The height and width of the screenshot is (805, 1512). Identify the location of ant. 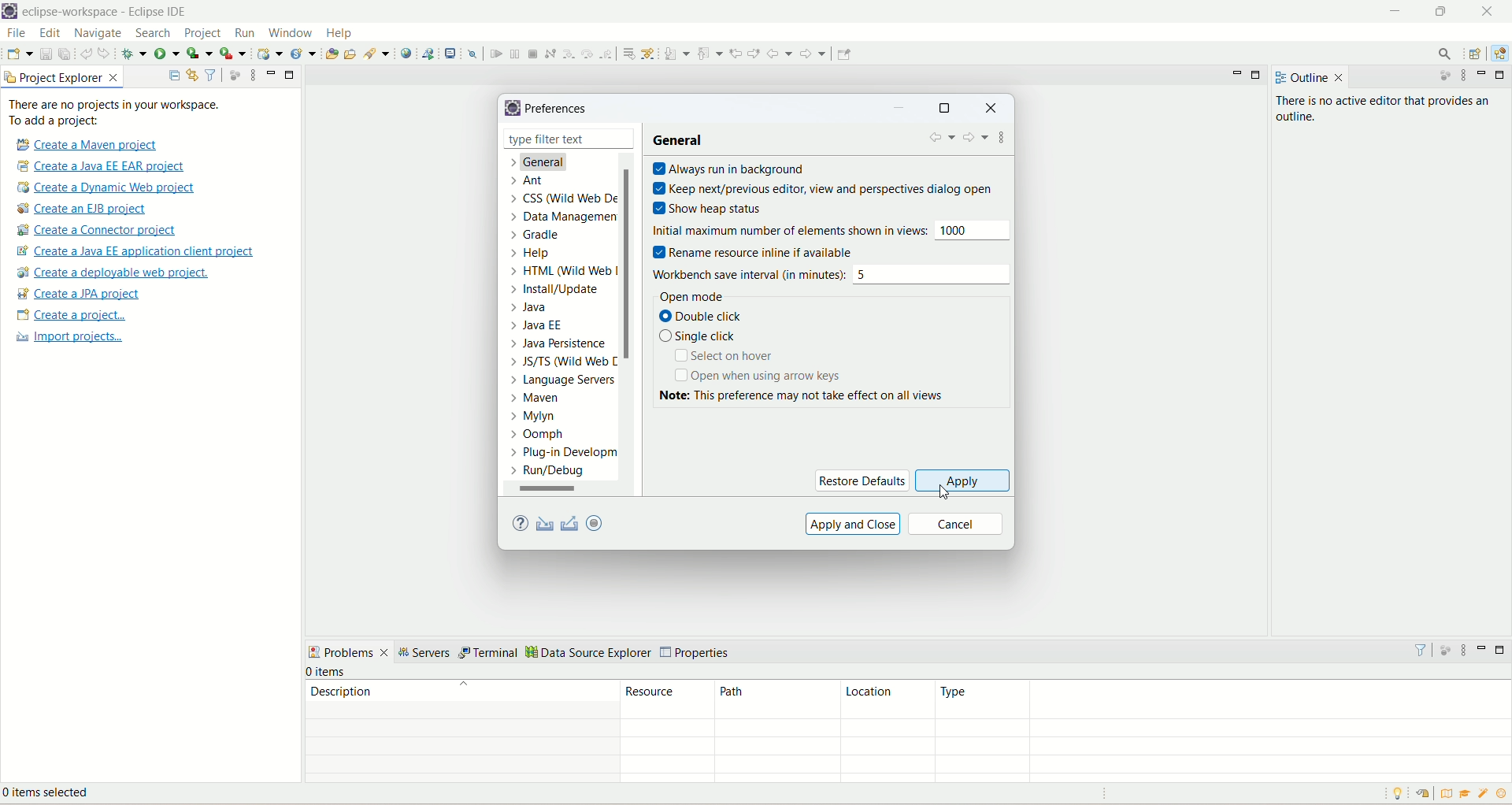
(527, 181).